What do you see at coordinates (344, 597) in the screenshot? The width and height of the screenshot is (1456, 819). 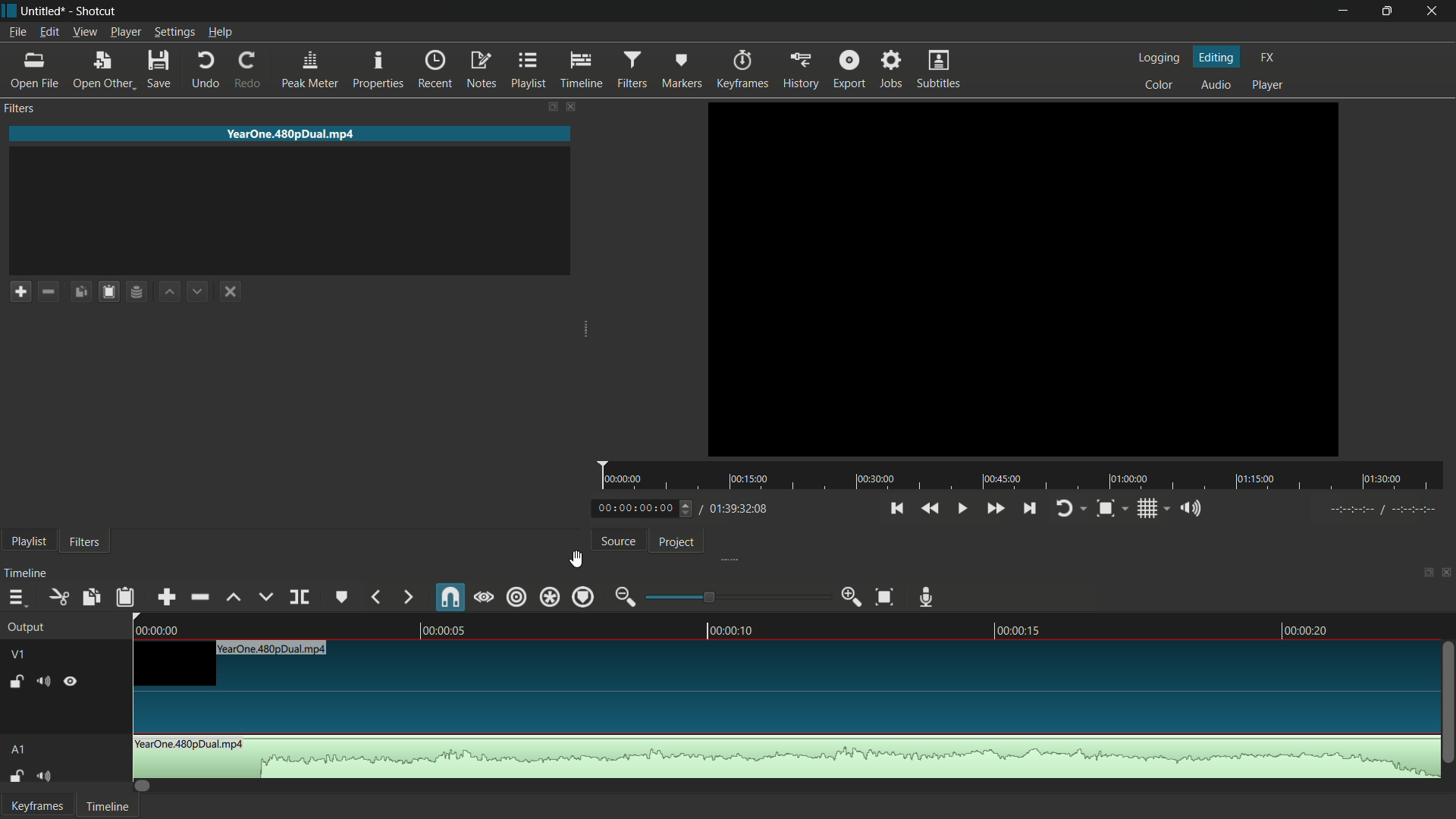 I see `create or edit marker` at bounding box center [344, 597].